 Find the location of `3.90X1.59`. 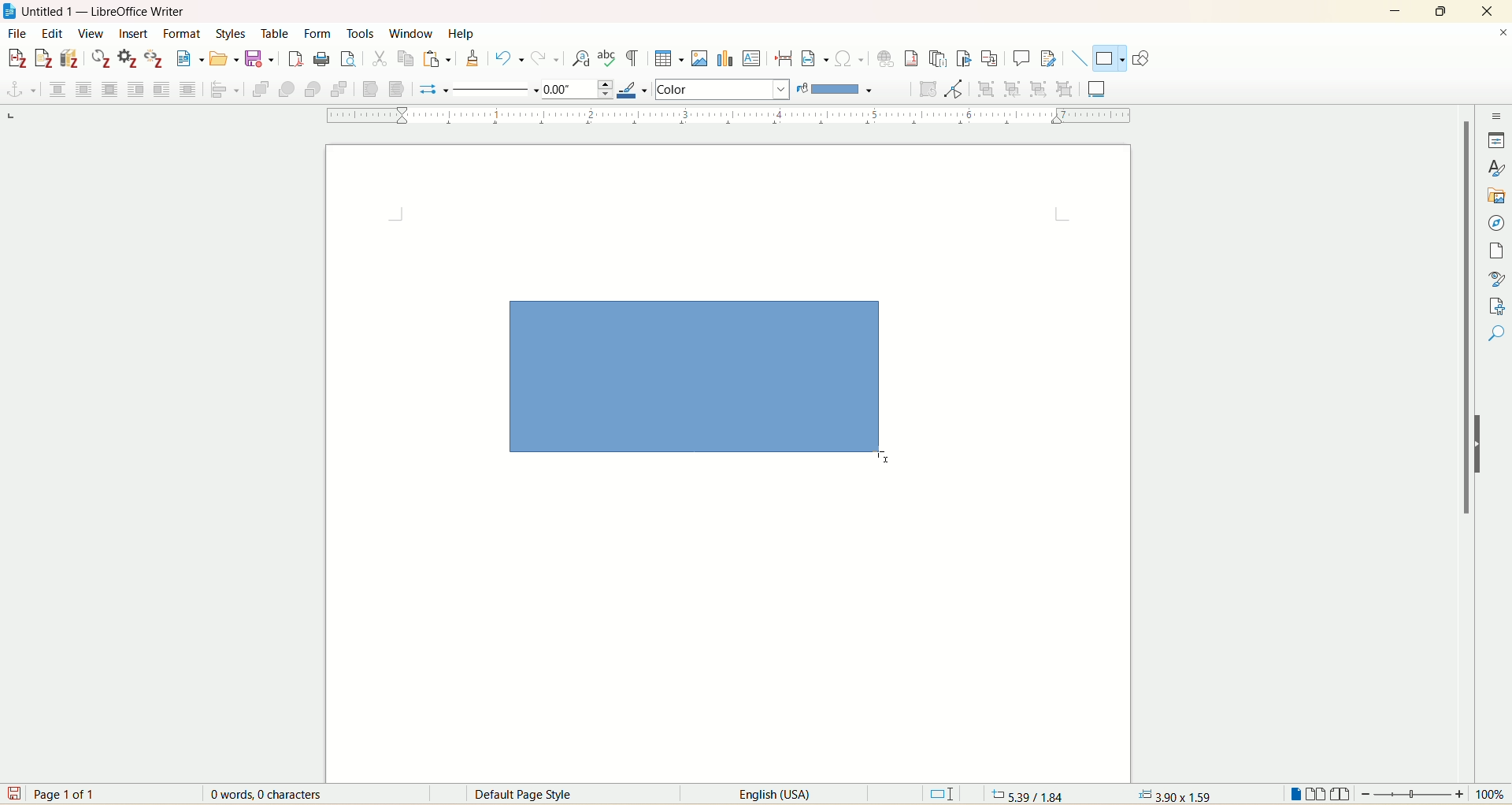

3.90X1.59 is located at coordinates (1175, 795).